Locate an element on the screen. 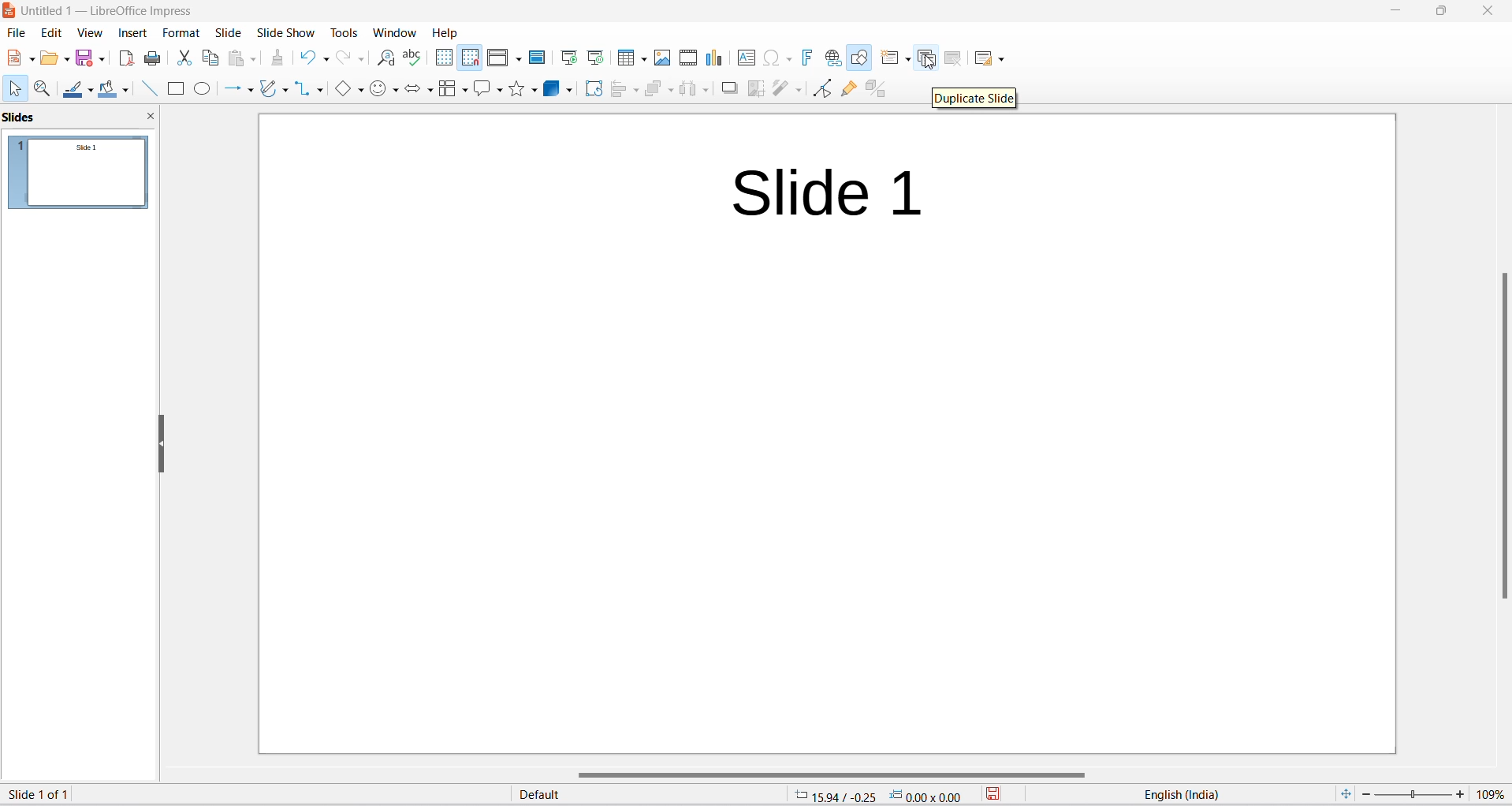 Image resolution: width=1512 pixels, height=806 pixels. select is located at coordinates (16, 90).